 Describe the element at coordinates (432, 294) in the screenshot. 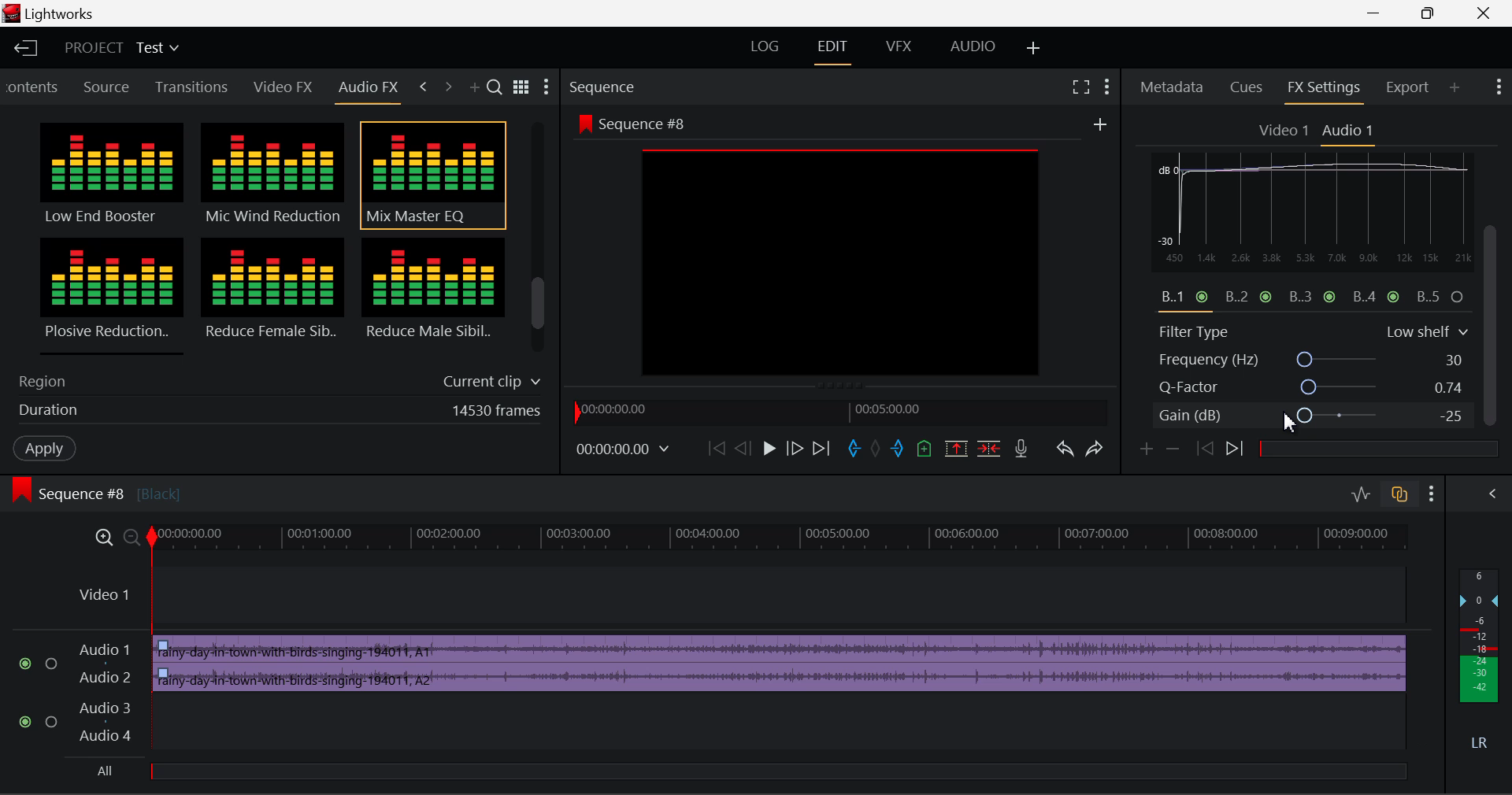

I see `Reduce Male Sibilance` at that location.